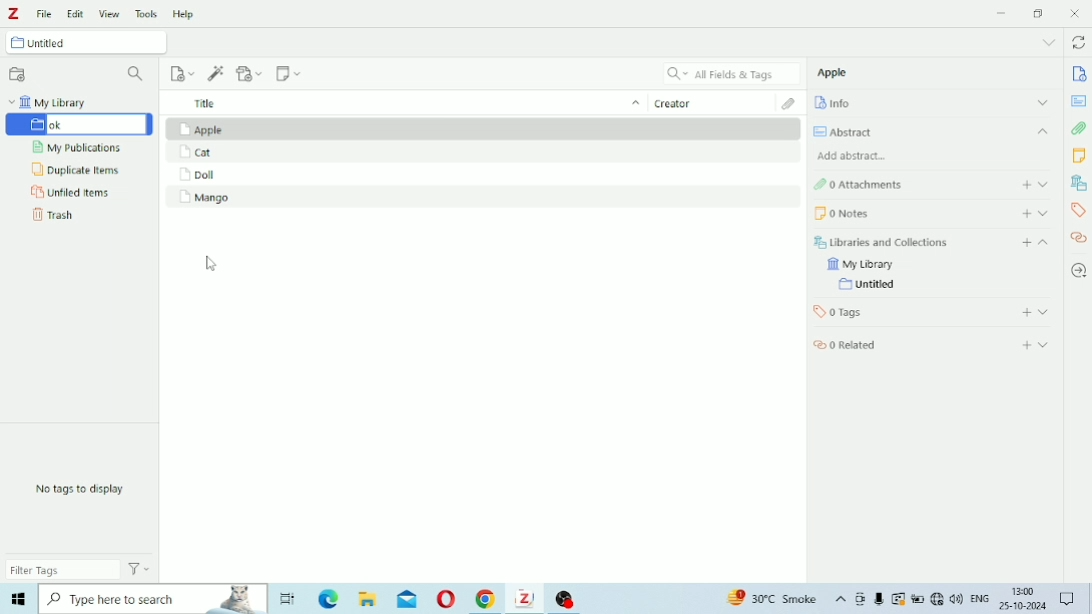  Describe the element at coordinates (216, 72) in the screenshot. I see `Add Item (s) by Identifier` at that location.